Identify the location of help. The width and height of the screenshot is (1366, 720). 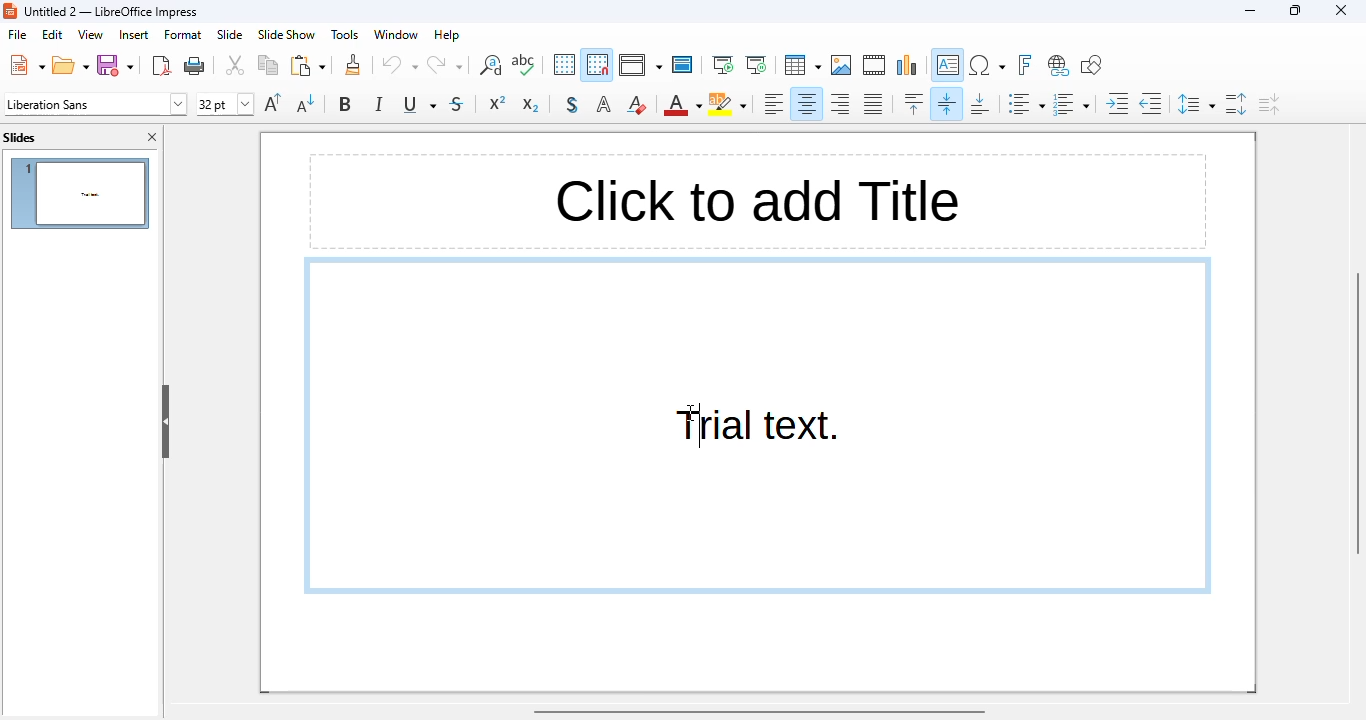
(447, 35).